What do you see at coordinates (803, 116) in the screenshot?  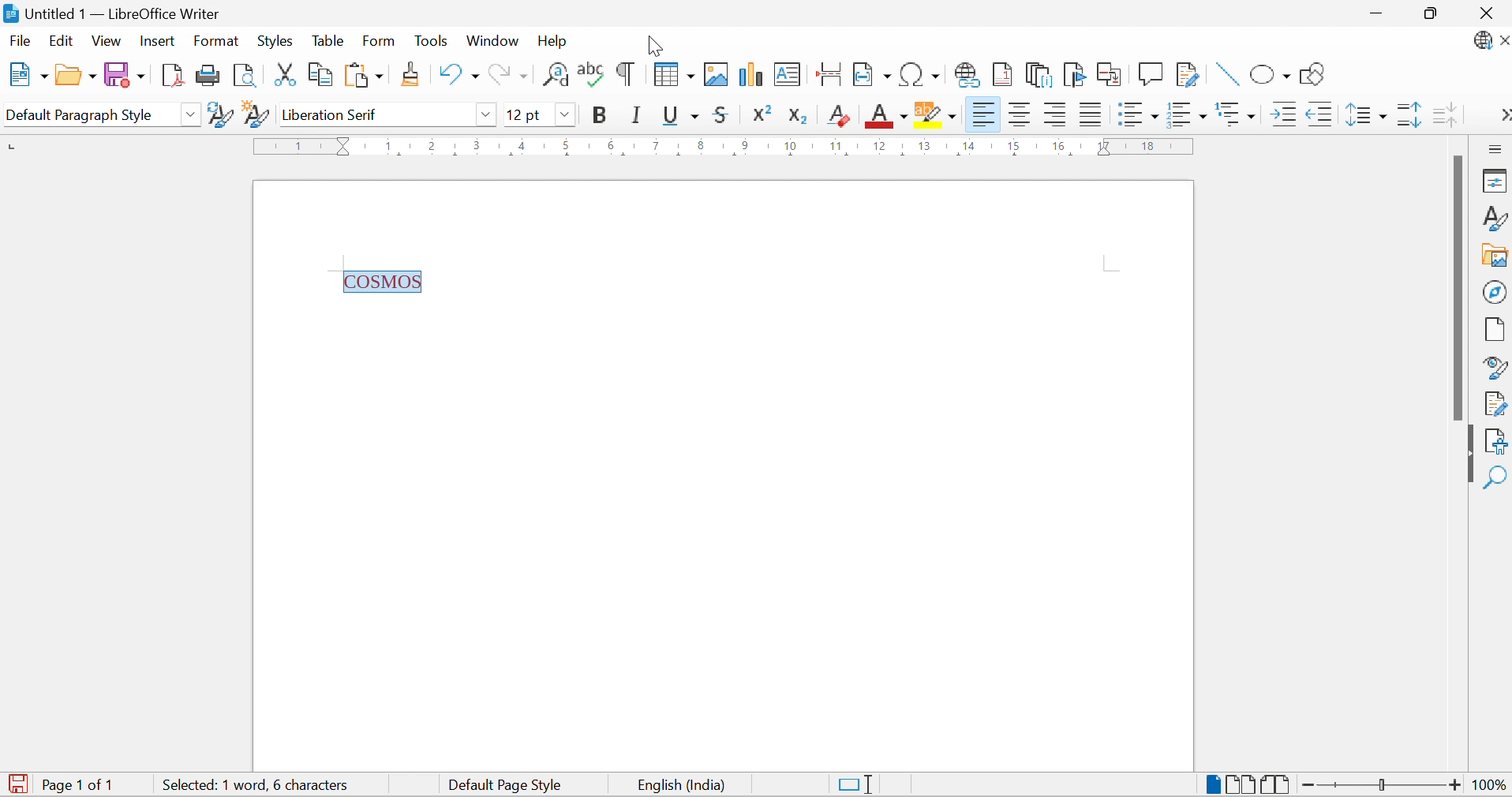 I see `Subscript` at bounding box center [803, 116].